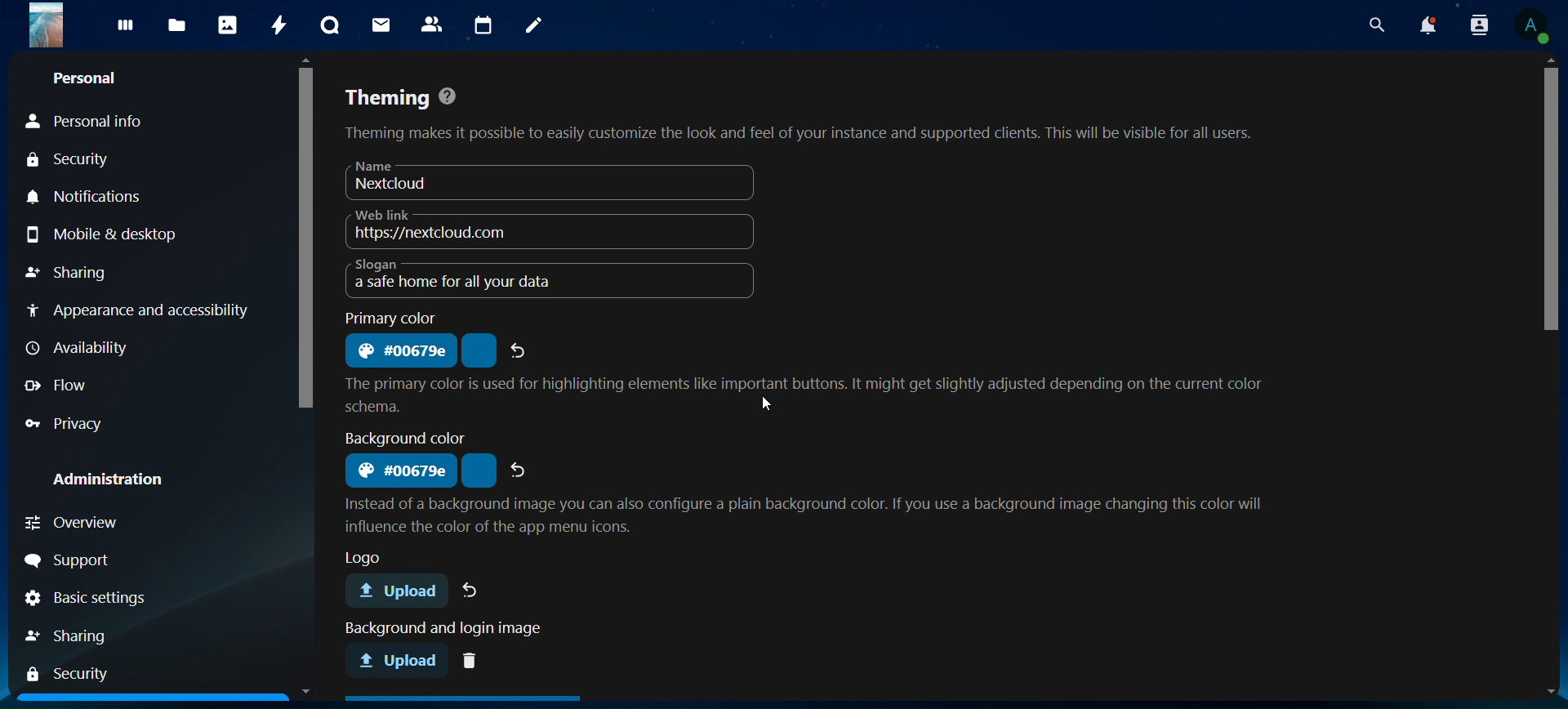  I want to click on scroll bar, so click(1555, 199).